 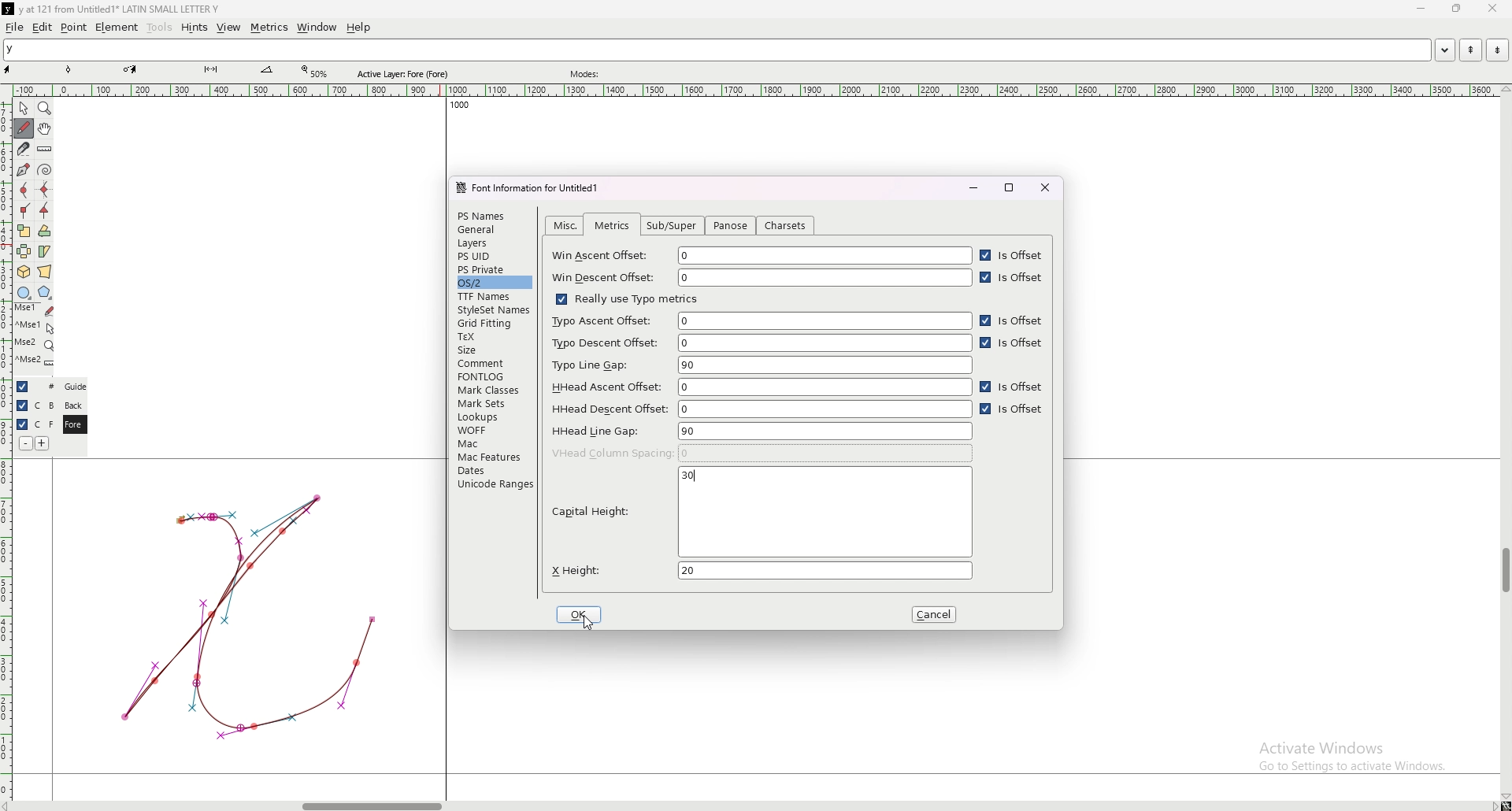 What do you see at coordinates (43, 443) in the screenshot?
I see `add layer` at bounding box center [43, 443].